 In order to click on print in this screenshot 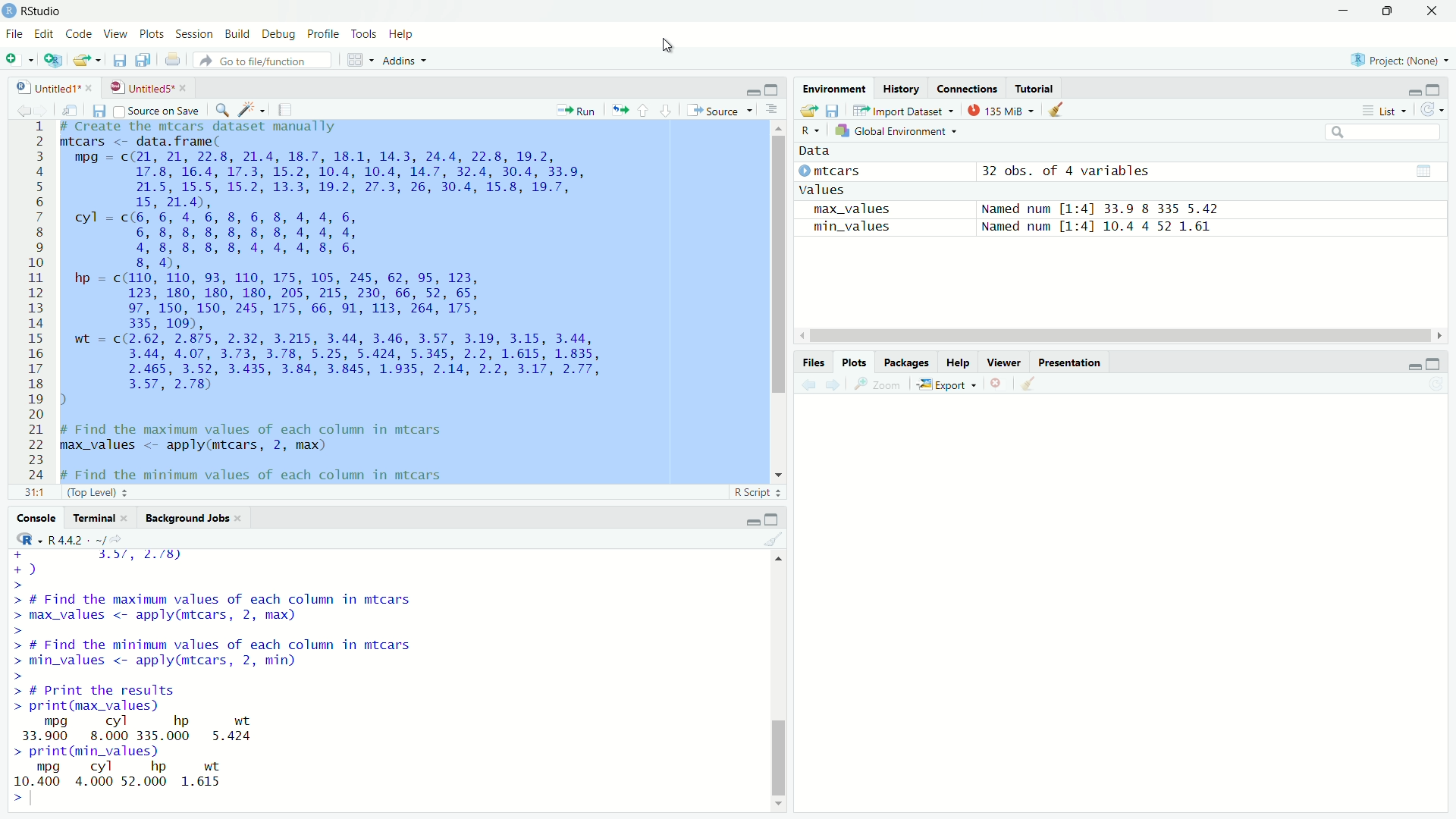, I will do `click(172, 59)`.